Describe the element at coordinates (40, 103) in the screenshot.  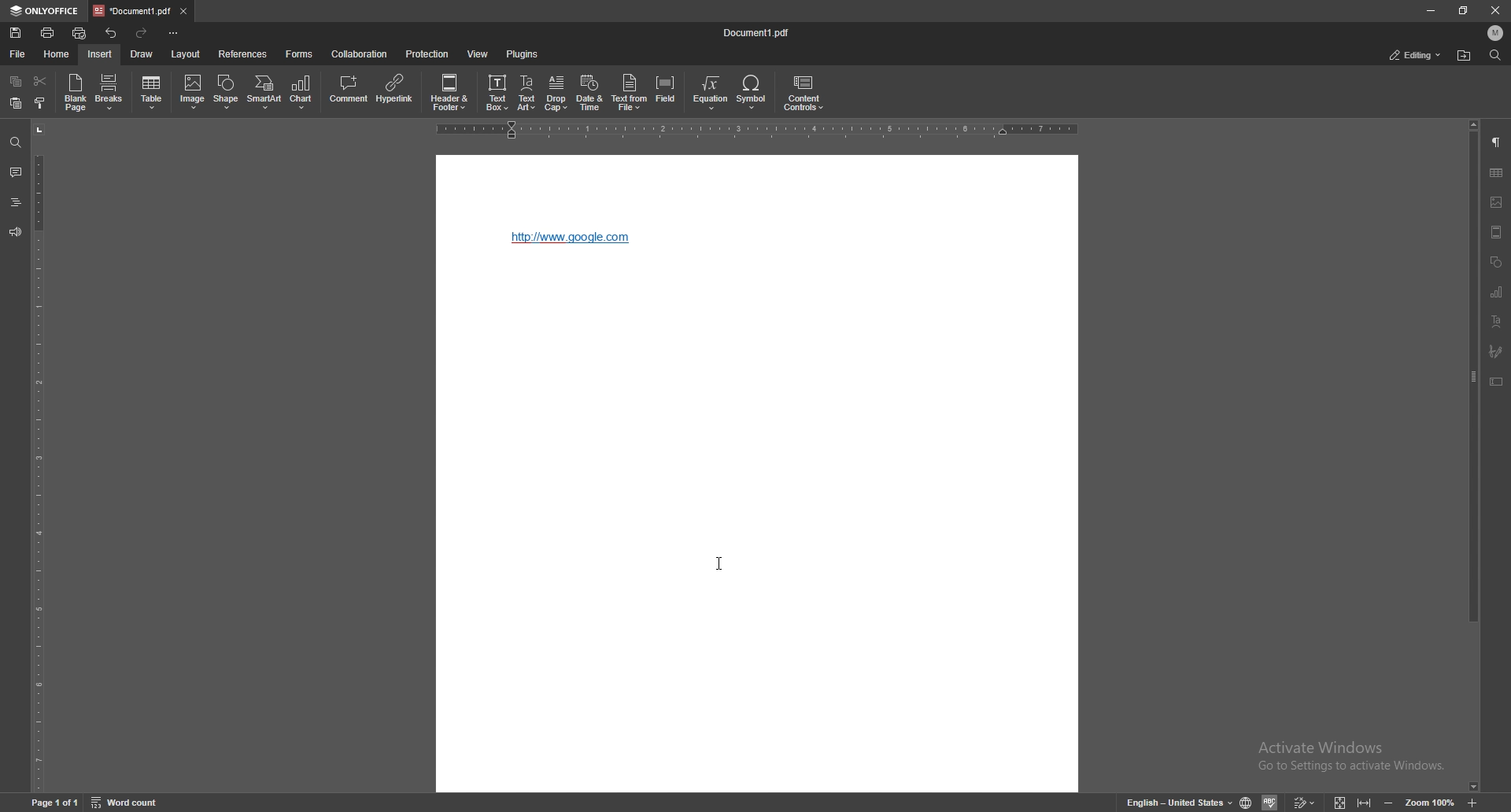
I see `copy style` at that location.